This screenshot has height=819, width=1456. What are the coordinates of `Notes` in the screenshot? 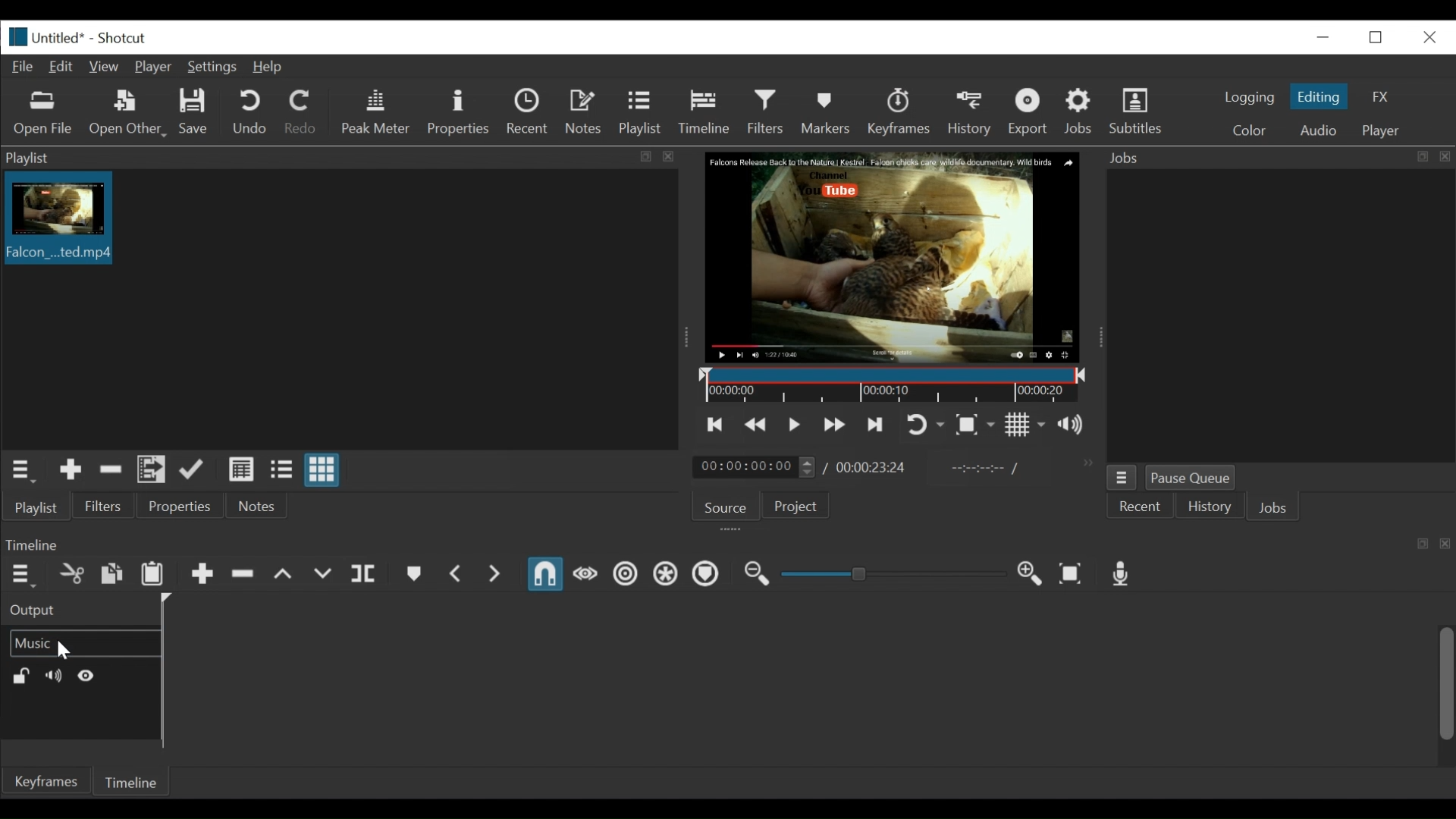 It's located at (585, 111).